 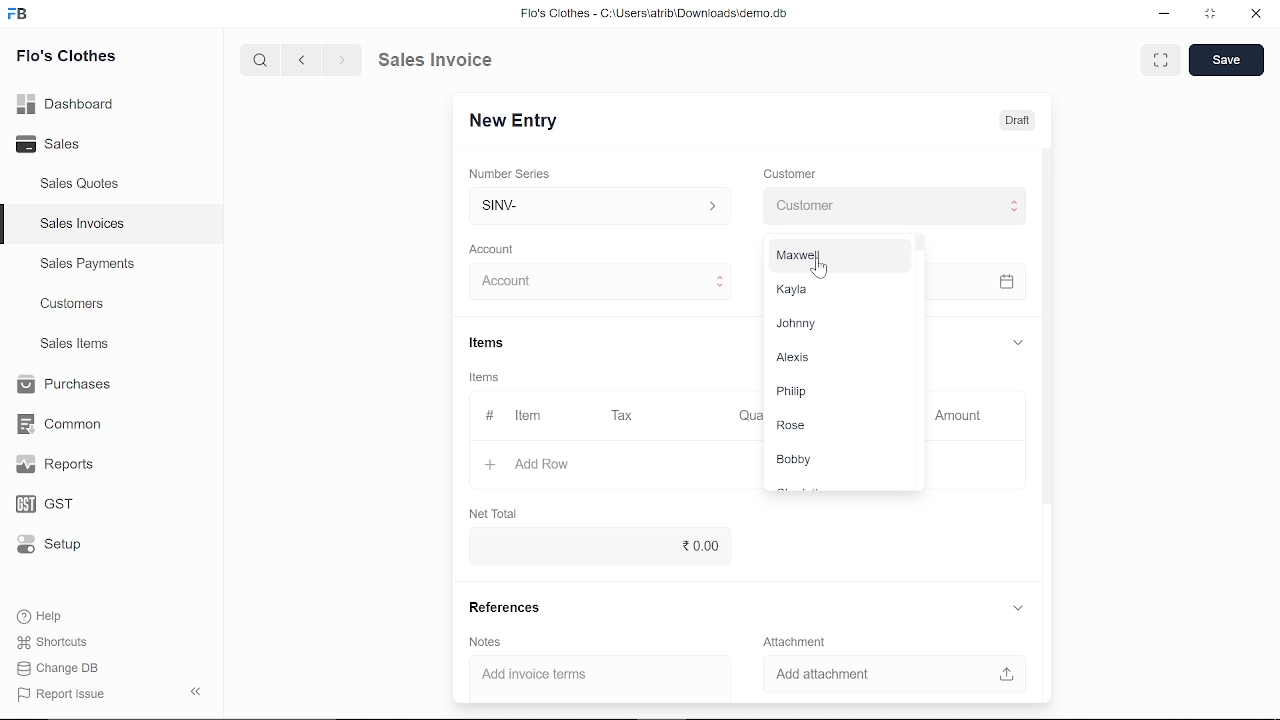 What do you see at coordinates (82, 185) in the screenshot?
I see `Sales Quotes` at bounding box center [82, 185].